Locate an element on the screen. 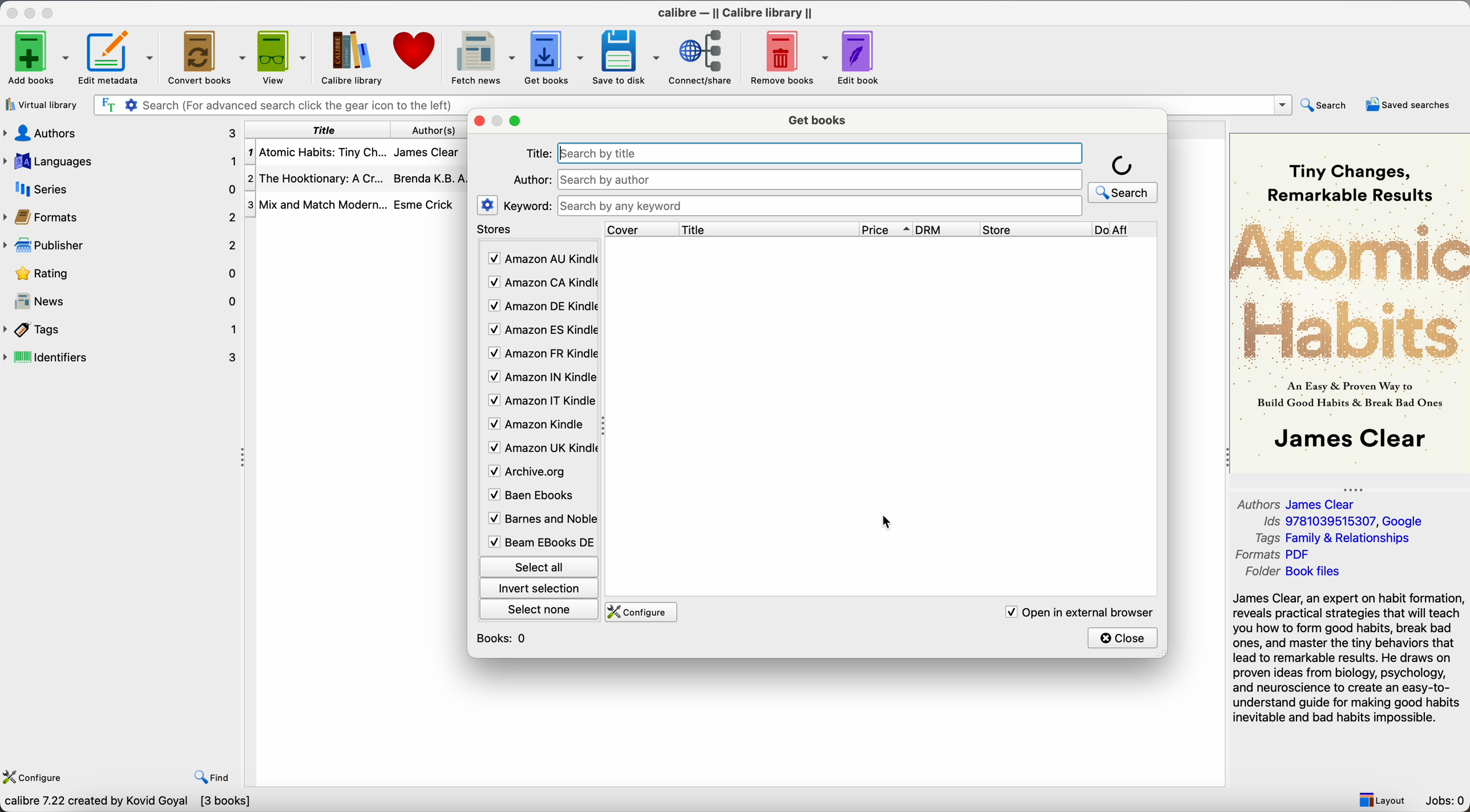  Amazon UK Kindle is located at coordinates (539, 450).